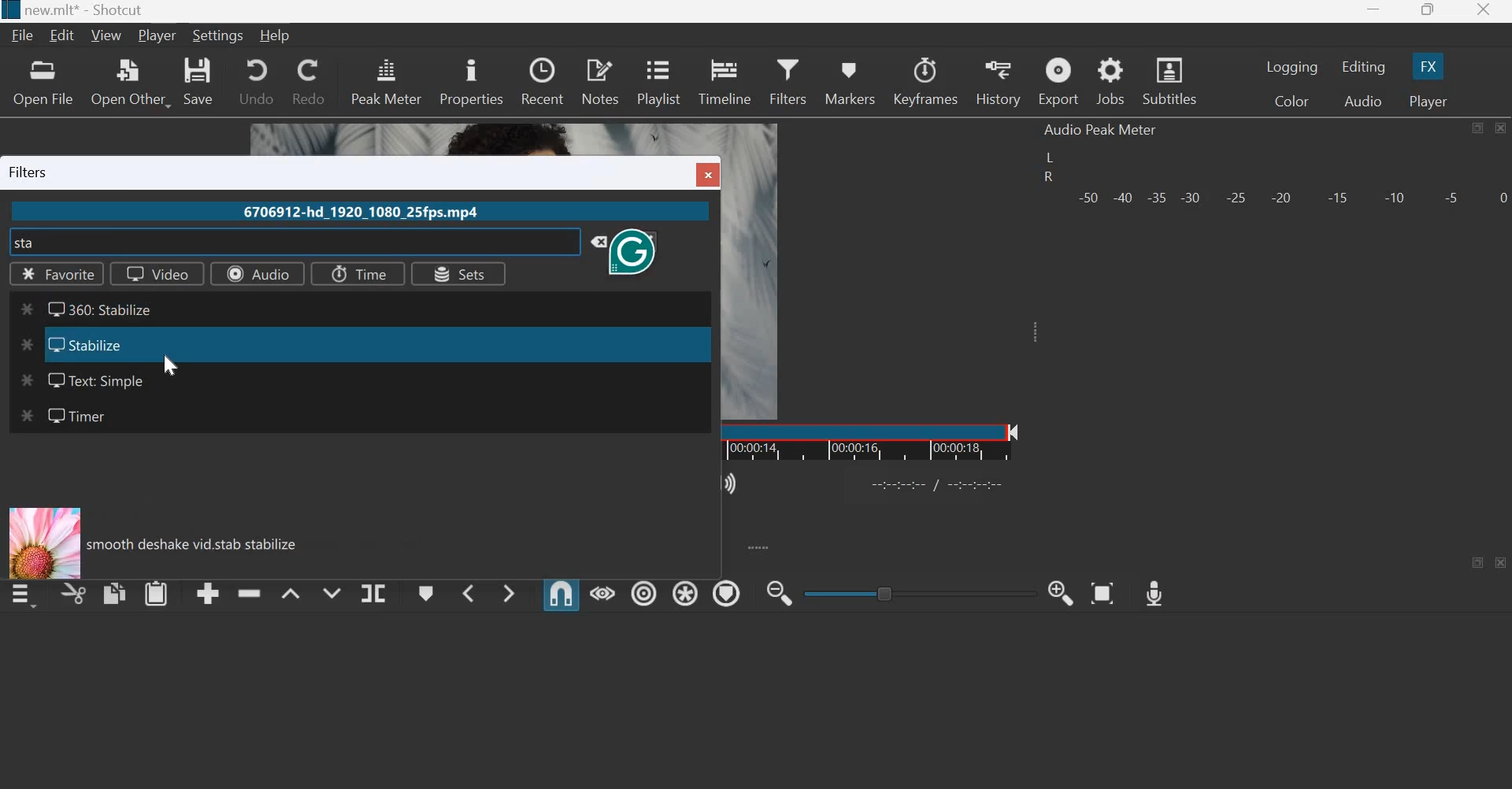 This screenshot has width=1512, height=789. Describe the element at coordinates (471, 80) in the screenshot. I see `Properties` at that location.